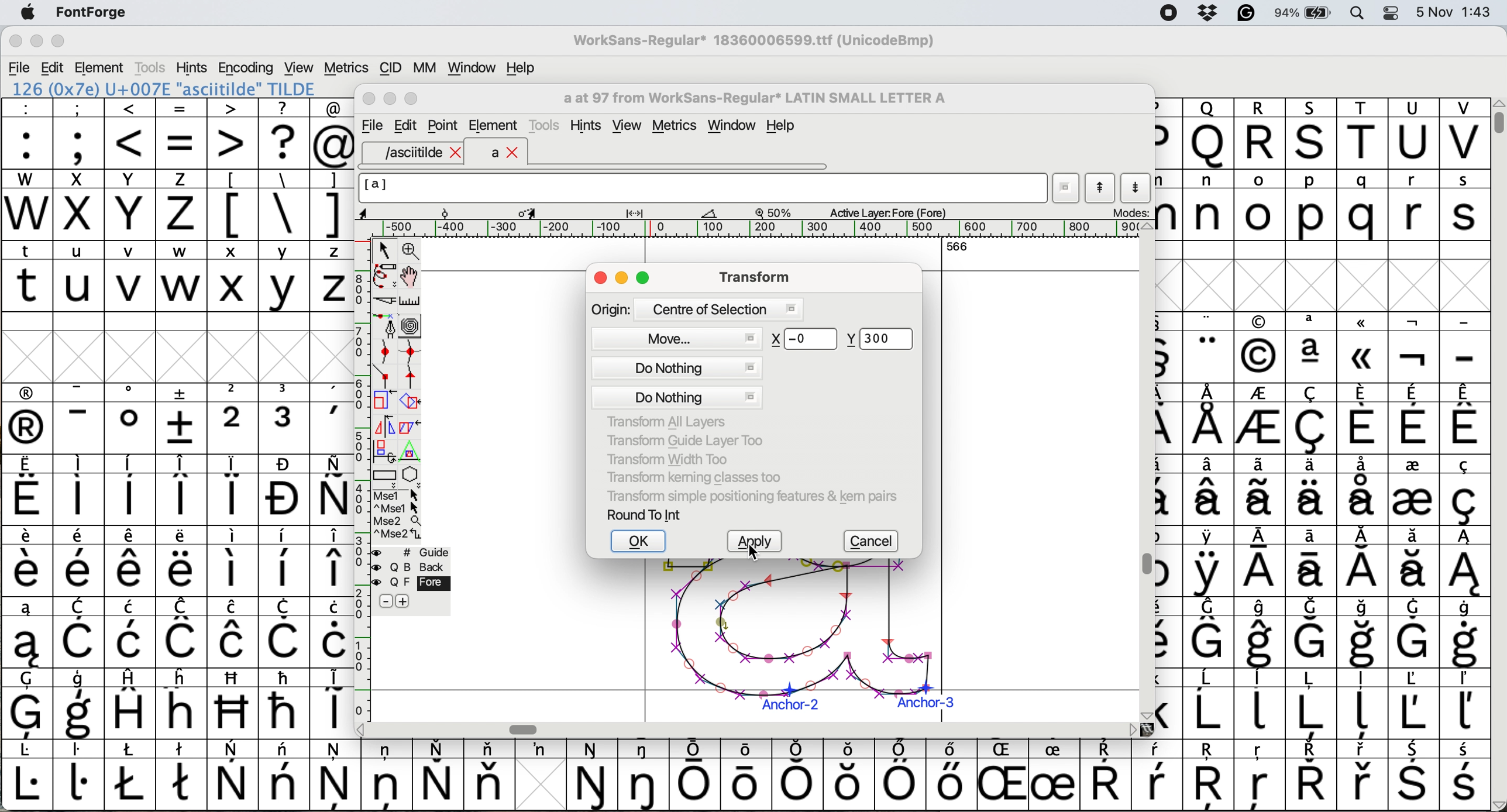 The width and height of the screenshot is (1507, 812). What do you see at coordinates (386, 248) in the screenshot?
I see `select` at bounding box center [386, 248].